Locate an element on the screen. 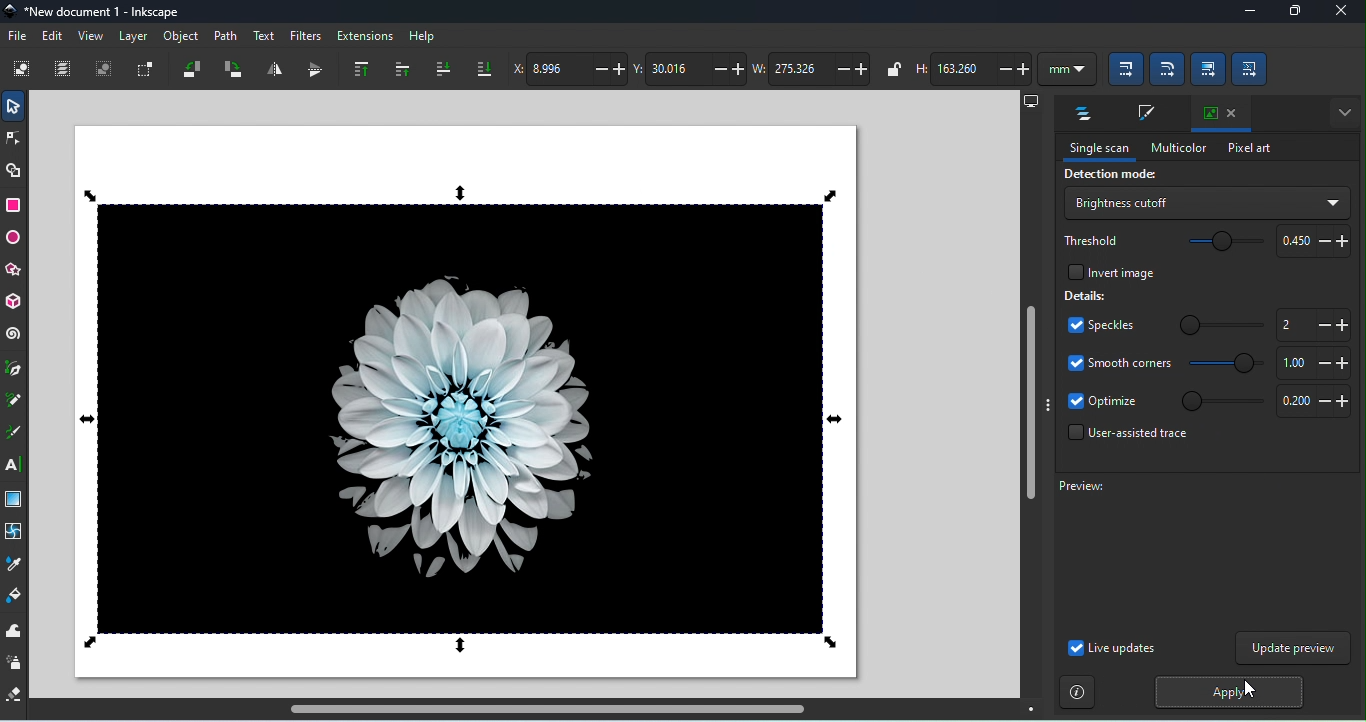  Slidebar is located at coordinates (1222, 367).